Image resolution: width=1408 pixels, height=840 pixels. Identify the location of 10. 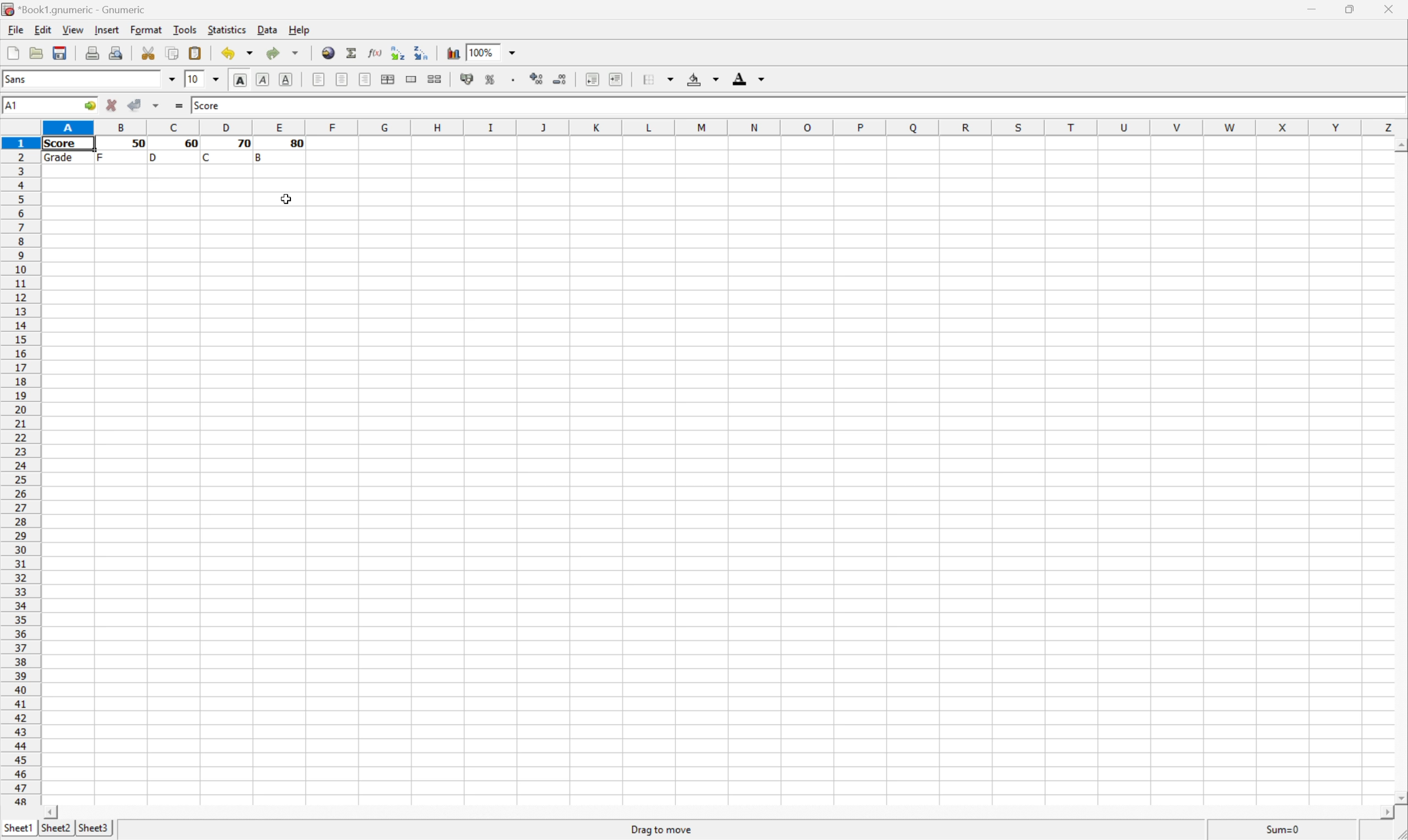
(190, 80).